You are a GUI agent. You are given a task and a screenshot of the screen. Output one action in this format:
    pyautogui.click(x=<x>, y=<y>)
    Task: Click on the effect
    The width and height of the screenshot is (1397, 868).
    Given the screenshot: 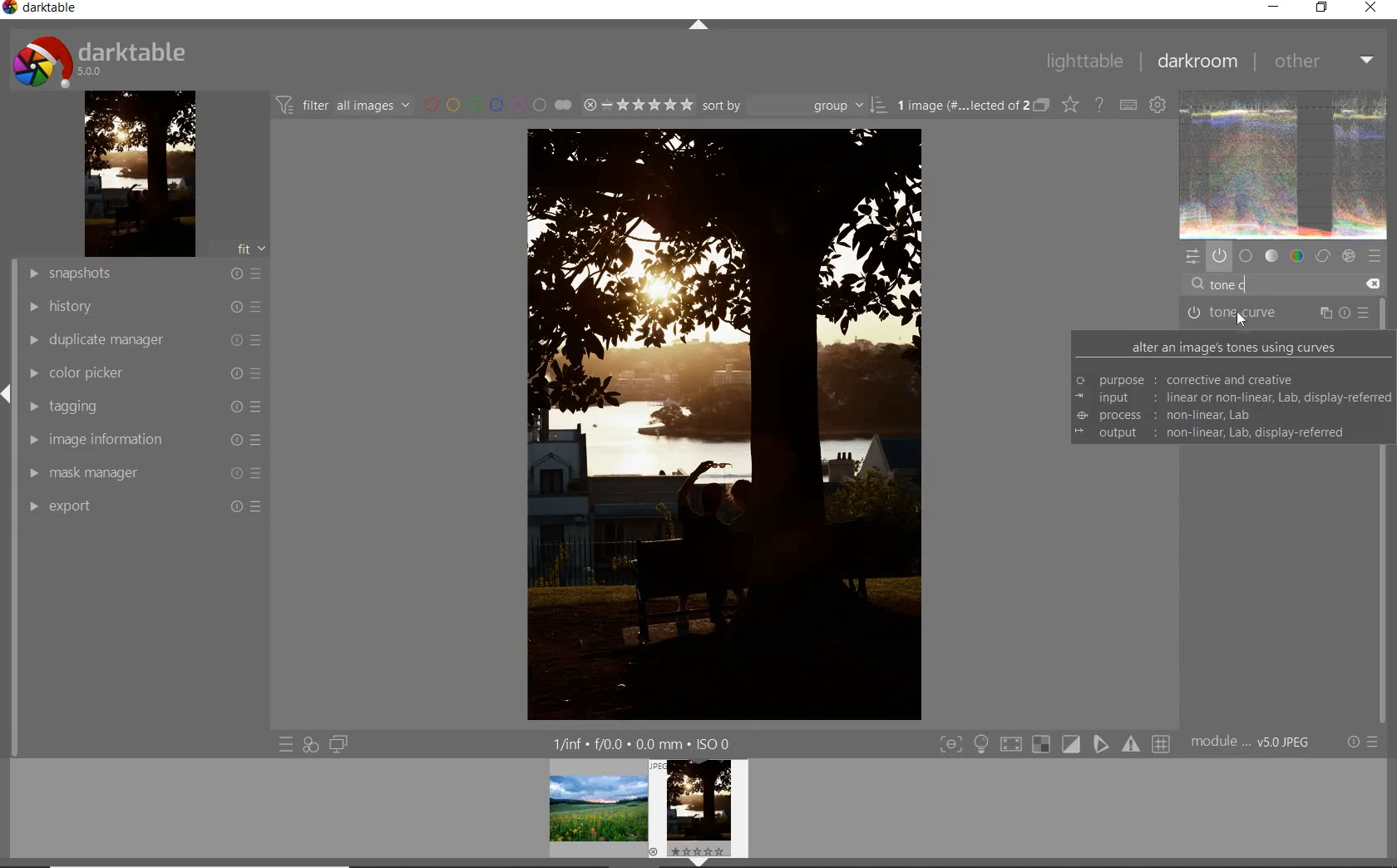 What is the action you would take?
    pyautogui.click(x=1348, y=256)
    